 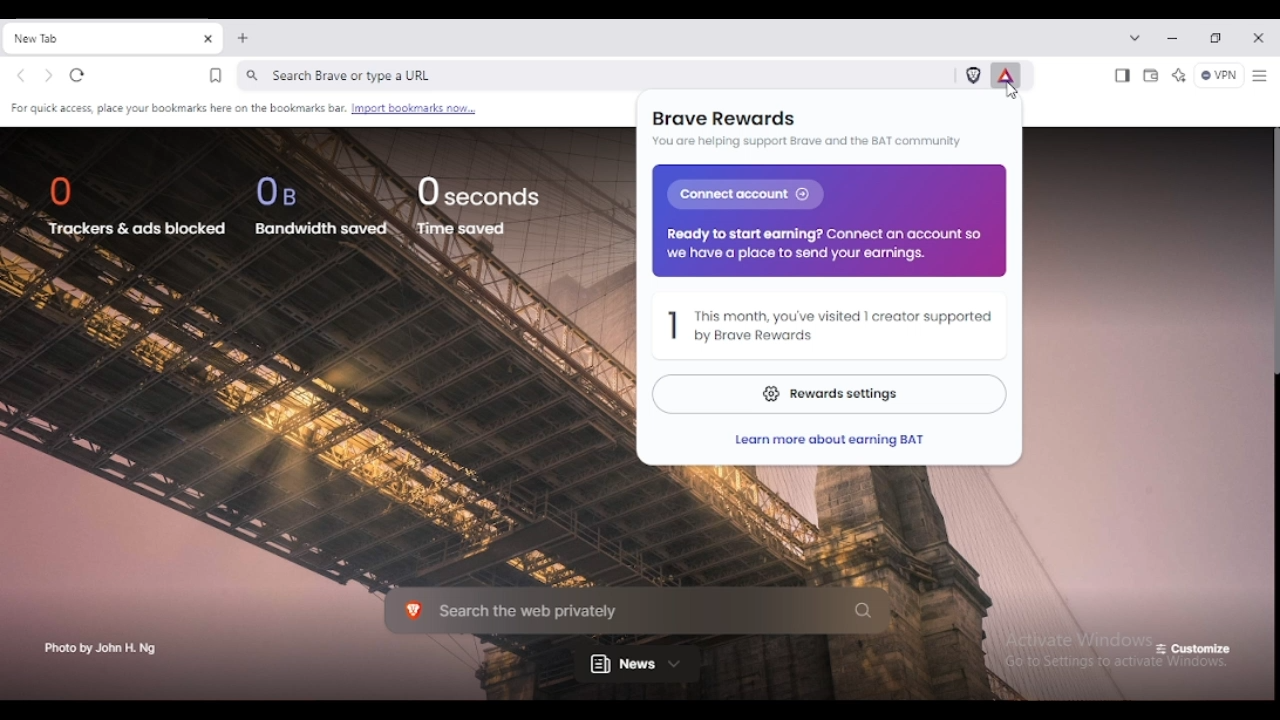 I want to click on leo AI, so click(x=1179, y=75).